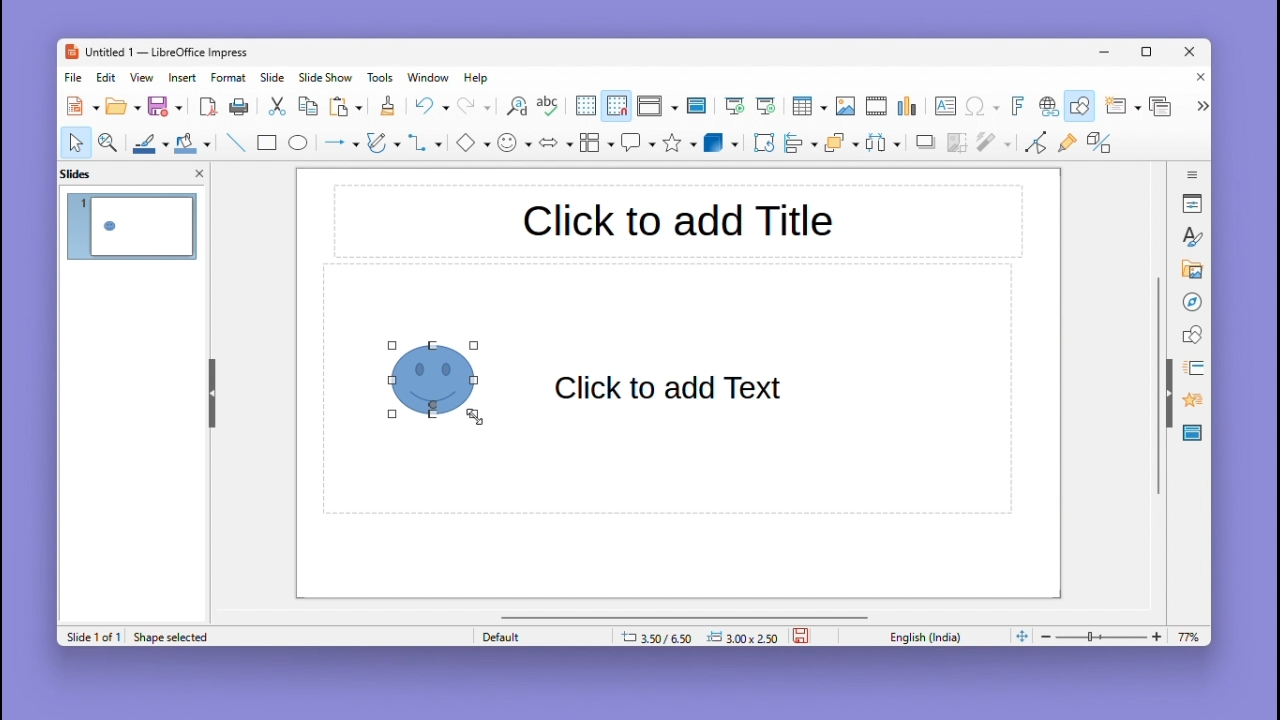 This screenshot has height=720, width=1280. What do you see at coordinates (86, 173) in the screenshot?
I see `Slides` at bounding box center [86, 173].